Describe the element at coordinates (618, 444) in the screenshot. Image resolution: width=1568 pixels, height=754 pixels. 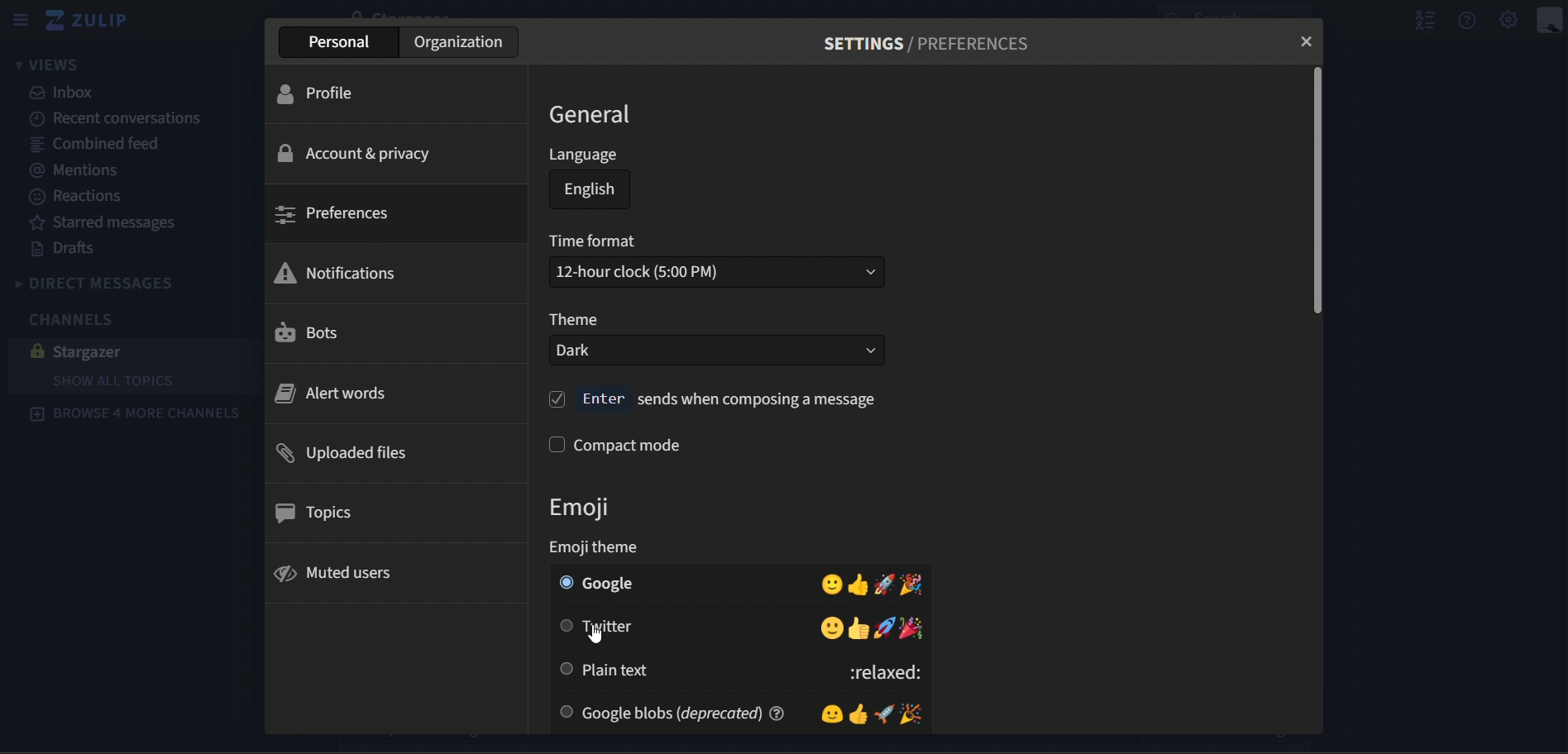
I see `compact mode` at that location.